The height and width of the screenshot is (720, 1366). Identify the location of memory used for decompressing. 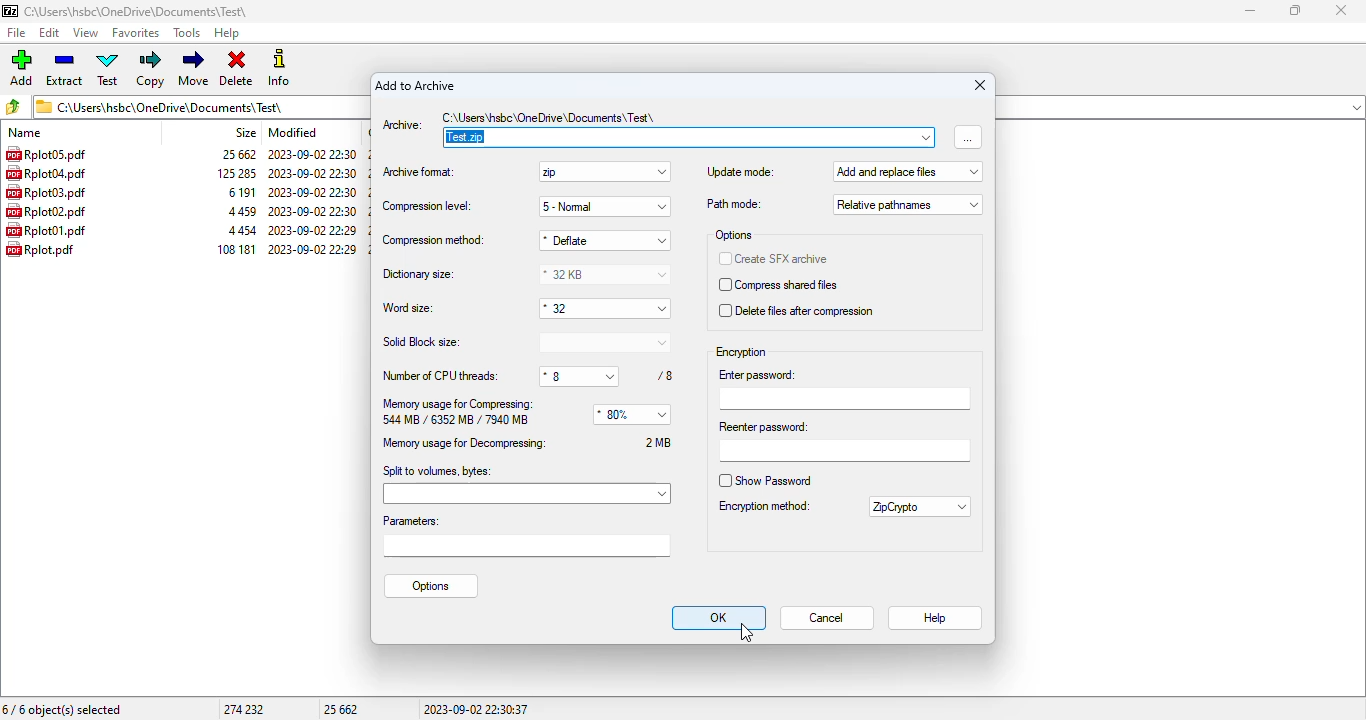
(466, 442).